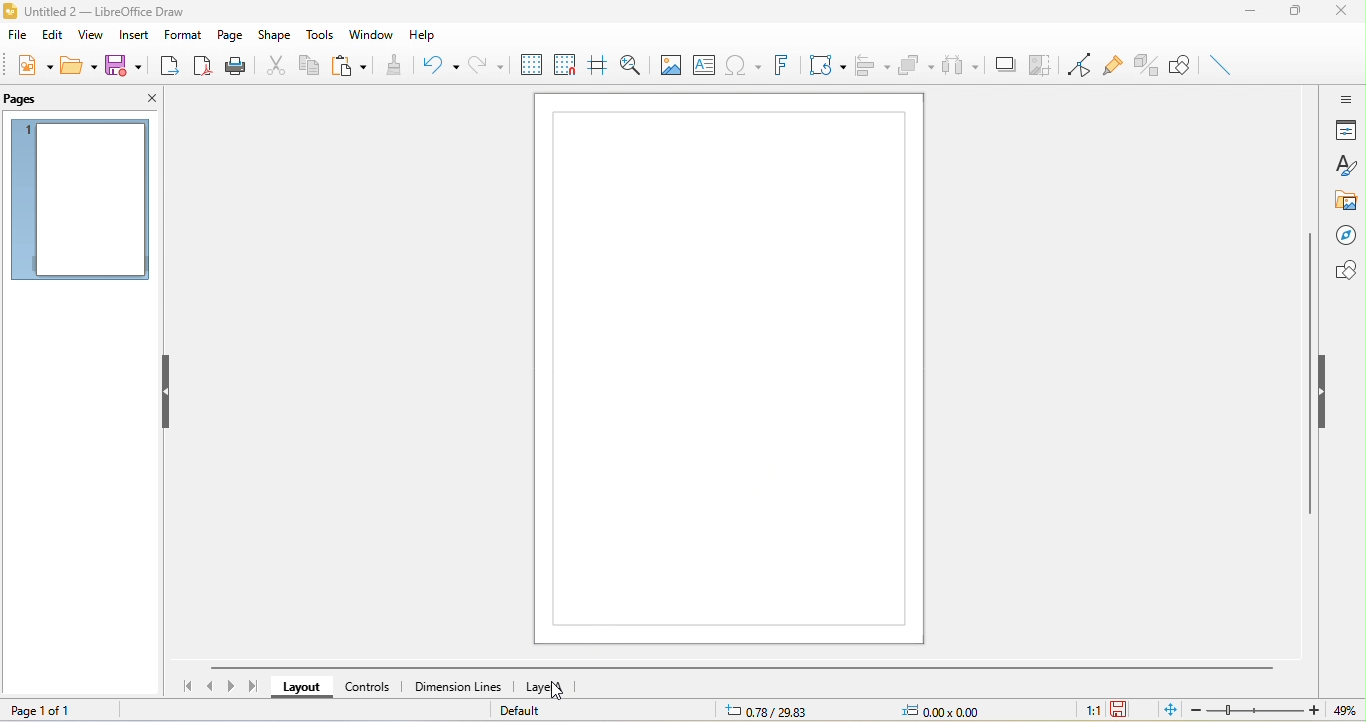 This screenshot has height=722, width=1366. What do you see at coordinates (1342, 269) in the screenshot?
I see `shapes` at bounding box center [1342, 269].